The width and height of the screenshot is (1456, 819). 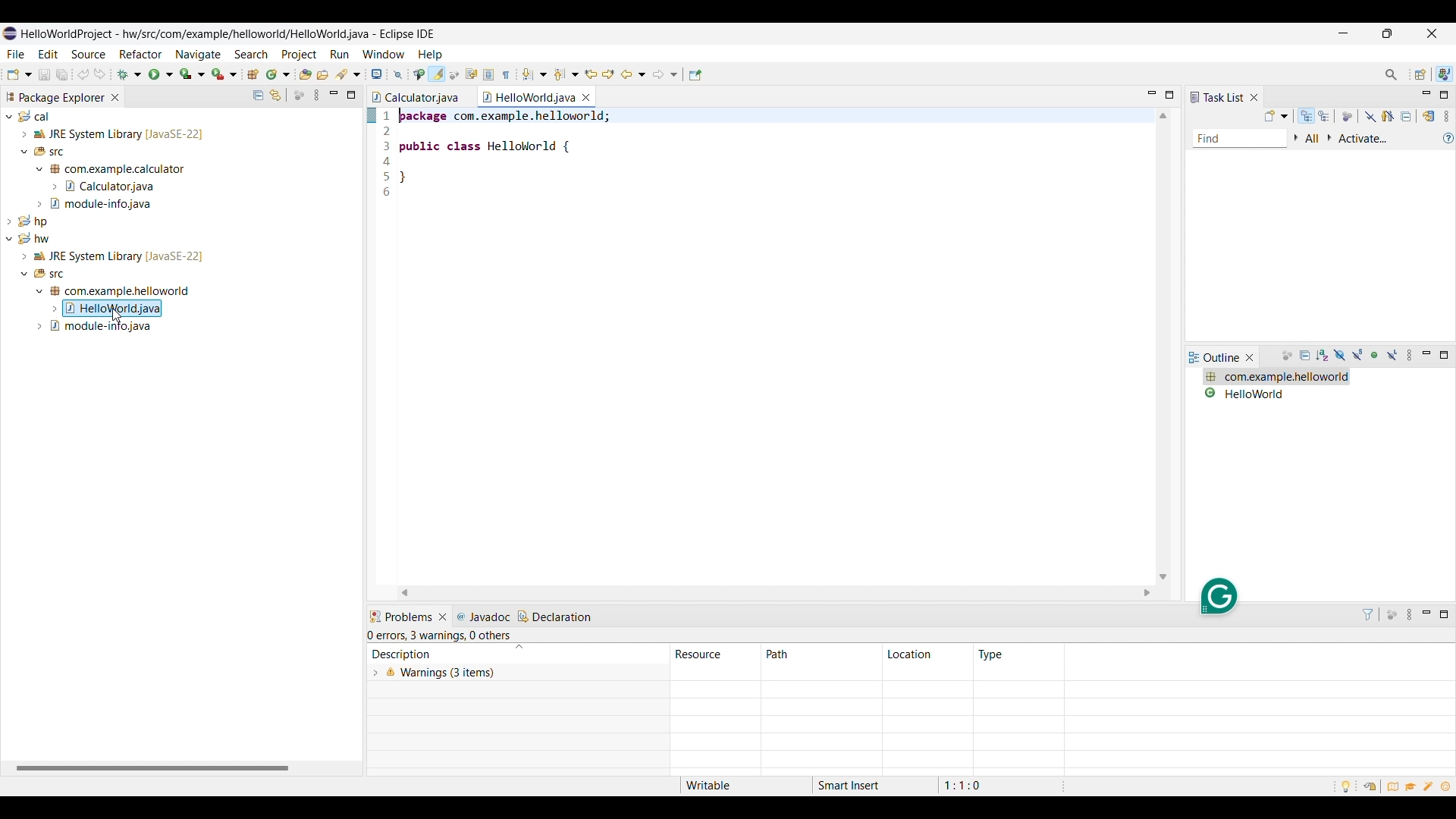 I want to click on Show only my tasks, so click(x=1389, y=116).